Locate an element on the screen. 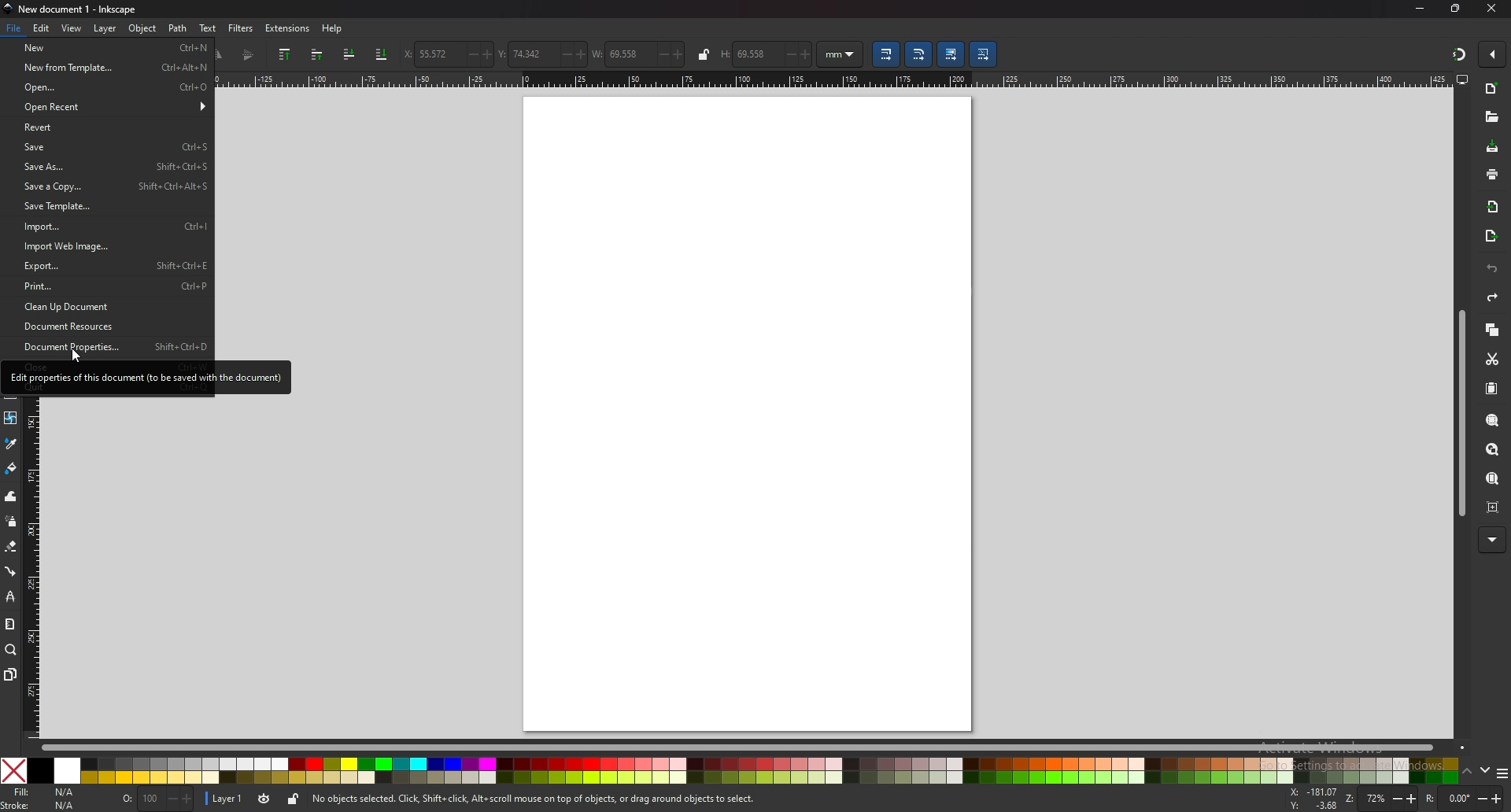 Image resolution: width=1511 pixels, height=812 pixels. open recent is located at coordinates (108, 107).